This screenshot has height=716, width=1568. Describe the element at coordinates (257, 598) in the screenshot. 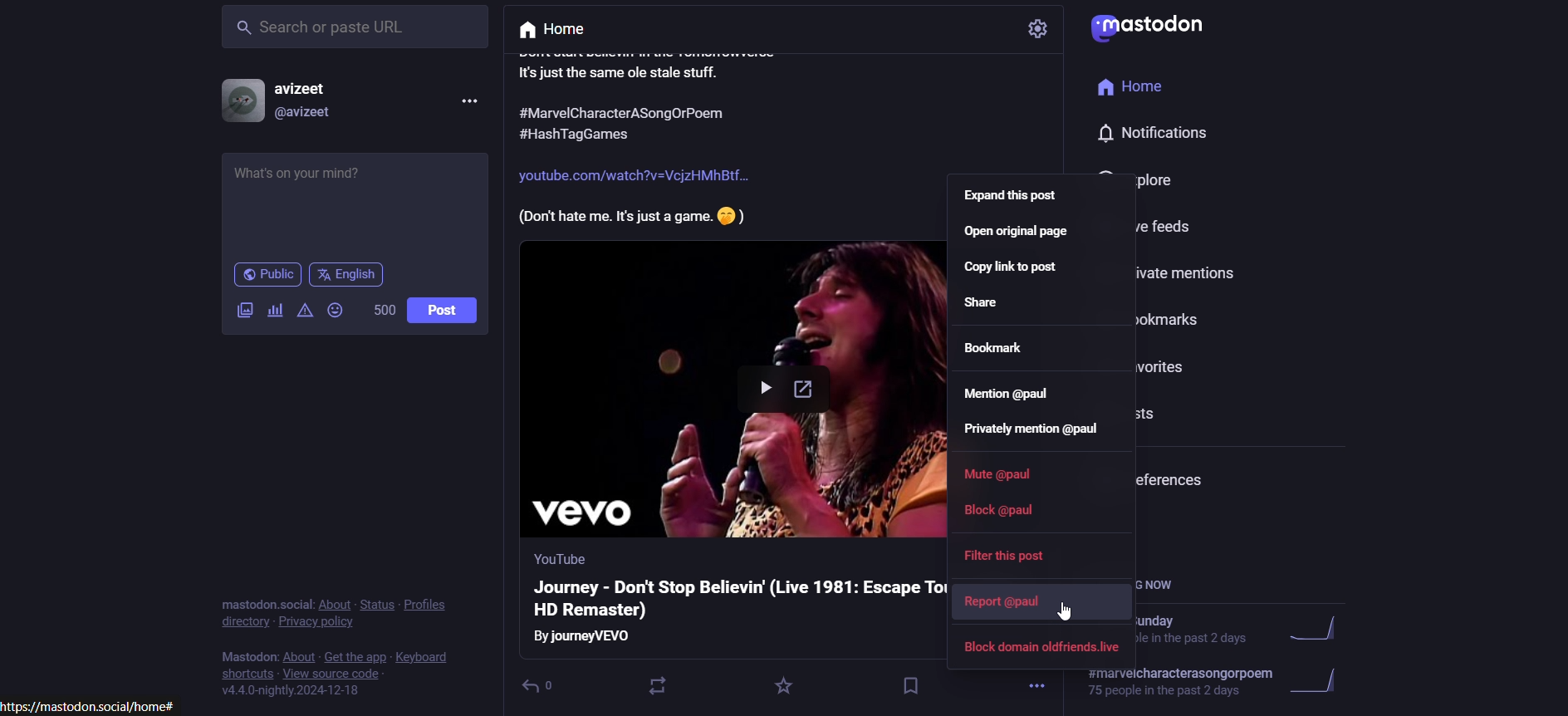

I see `text` at that location.